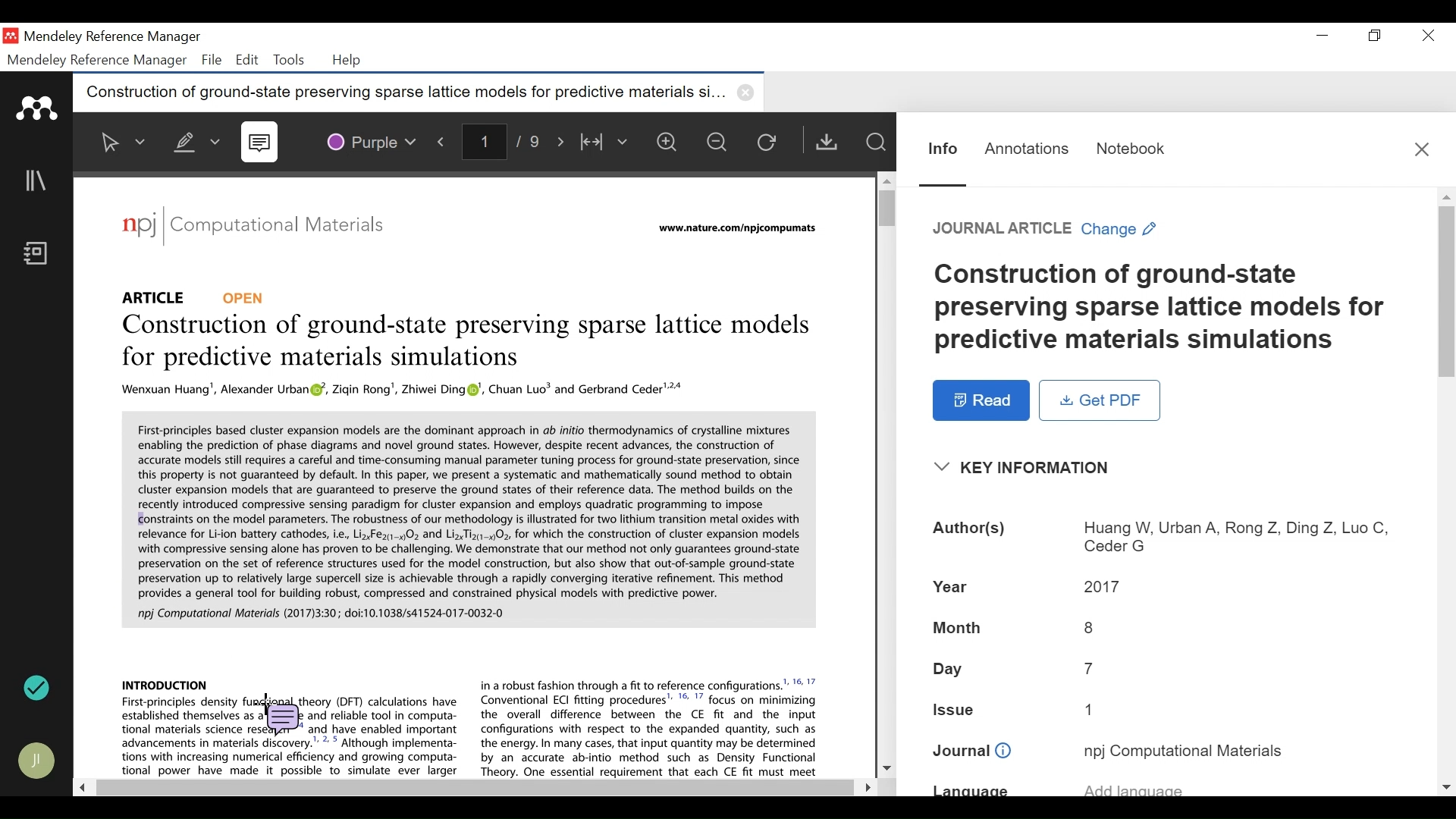 The image size is (1456, 819). Describe the element at coordinates (1323, 36) in the screenshot. I see `minimize` at that location.